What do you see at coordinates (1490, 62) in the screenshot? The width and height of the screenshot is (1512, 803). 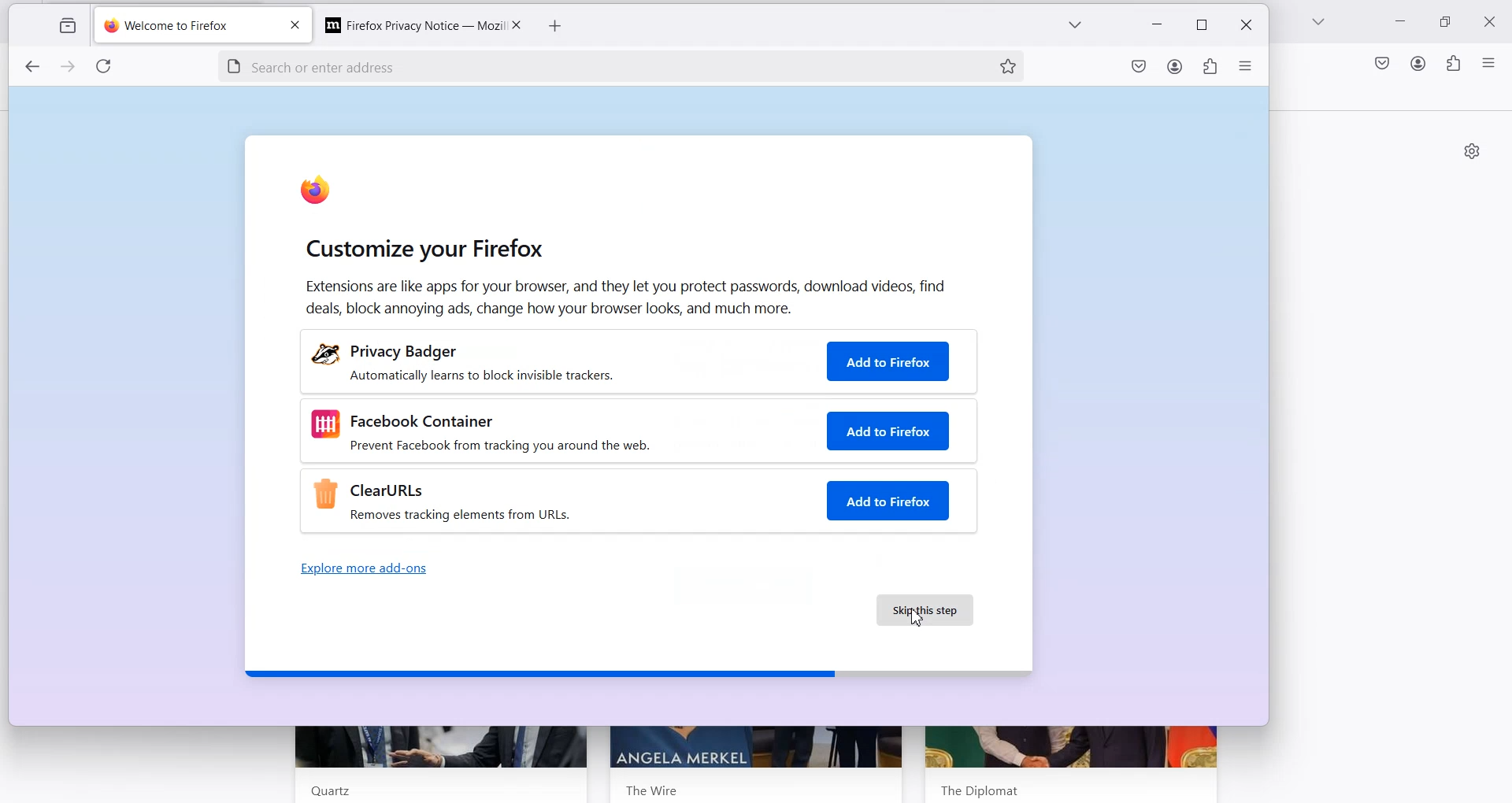 I see `Open Application menu` at bounding box center [1490, 62].